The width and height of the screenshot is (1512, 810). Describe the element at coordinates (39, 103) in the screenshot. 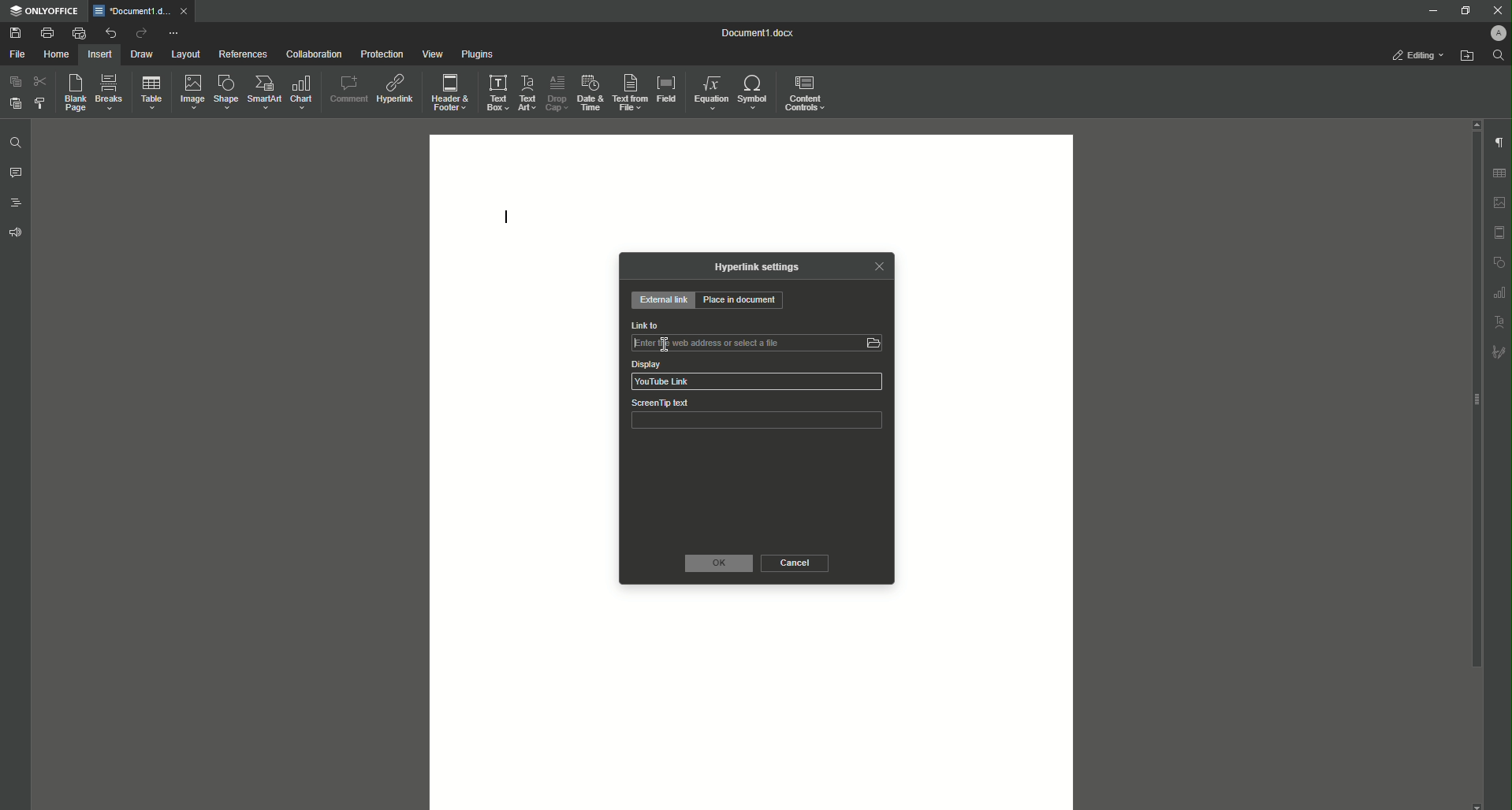

I see `Choose Styling` at that location.